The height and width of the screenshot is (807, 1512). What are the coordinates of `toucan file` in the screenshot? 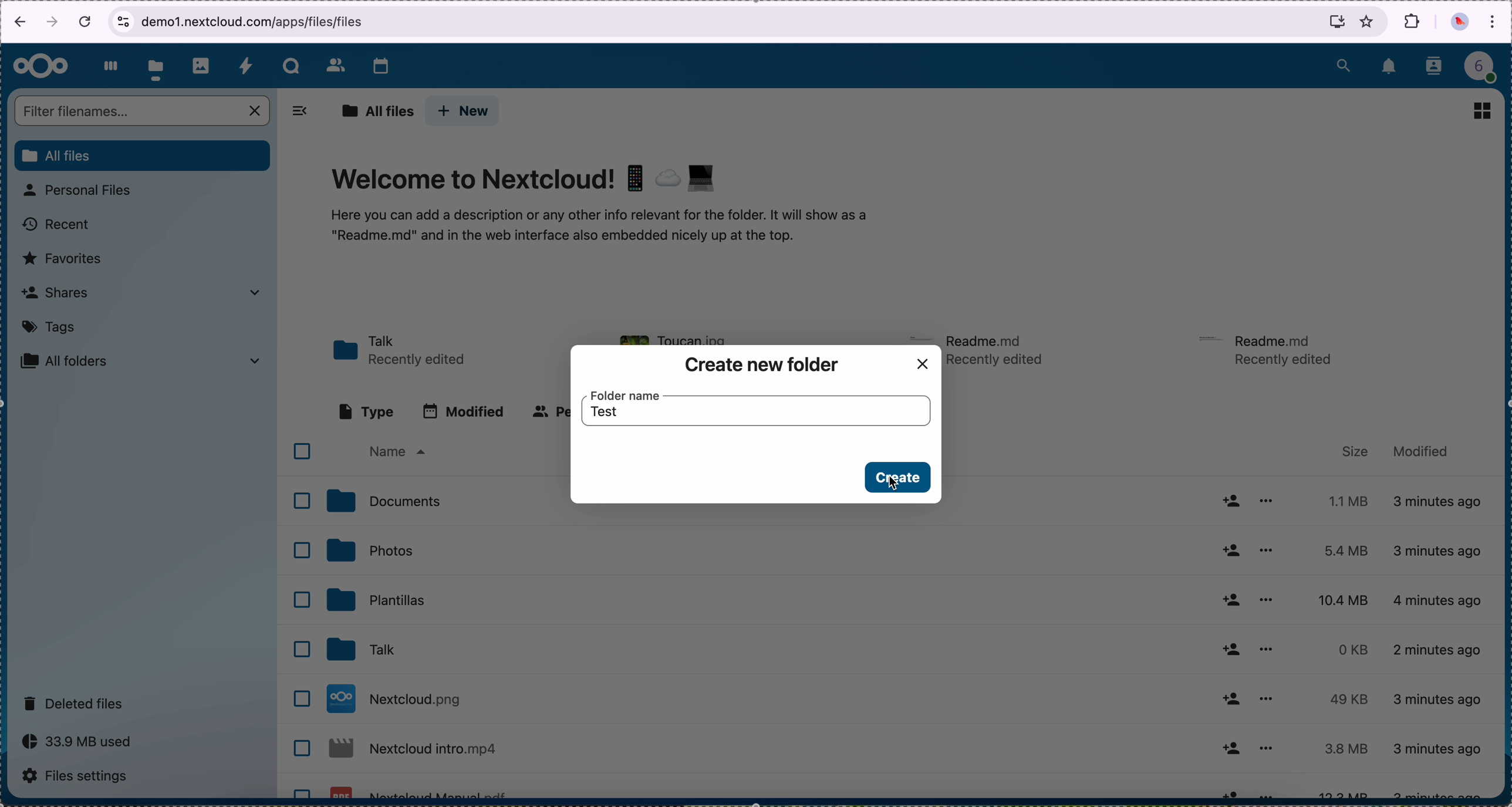 It's located at (683, 336).